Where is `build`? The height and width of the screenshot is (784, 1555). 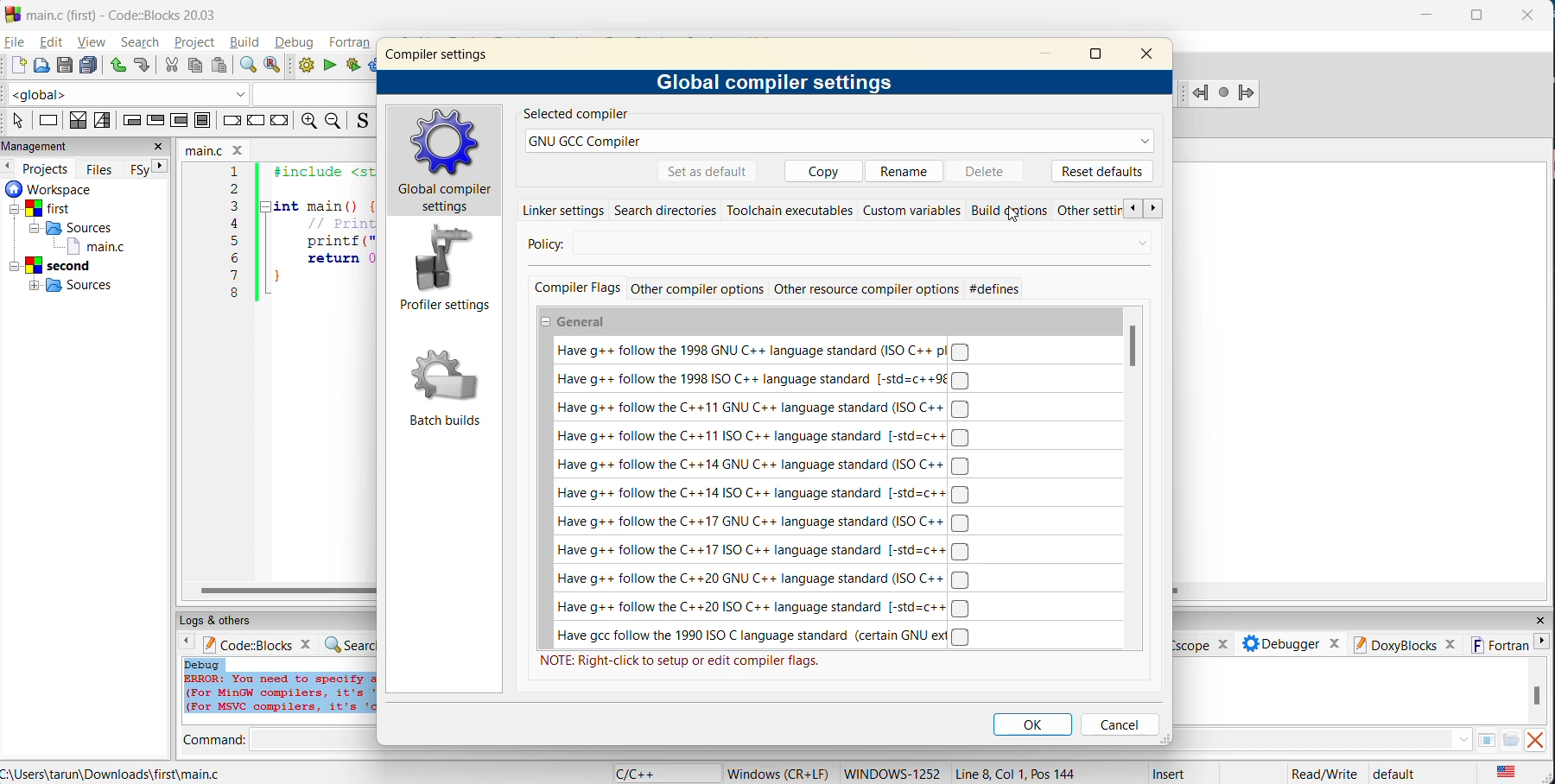 build is located at coordinates (246, 44).